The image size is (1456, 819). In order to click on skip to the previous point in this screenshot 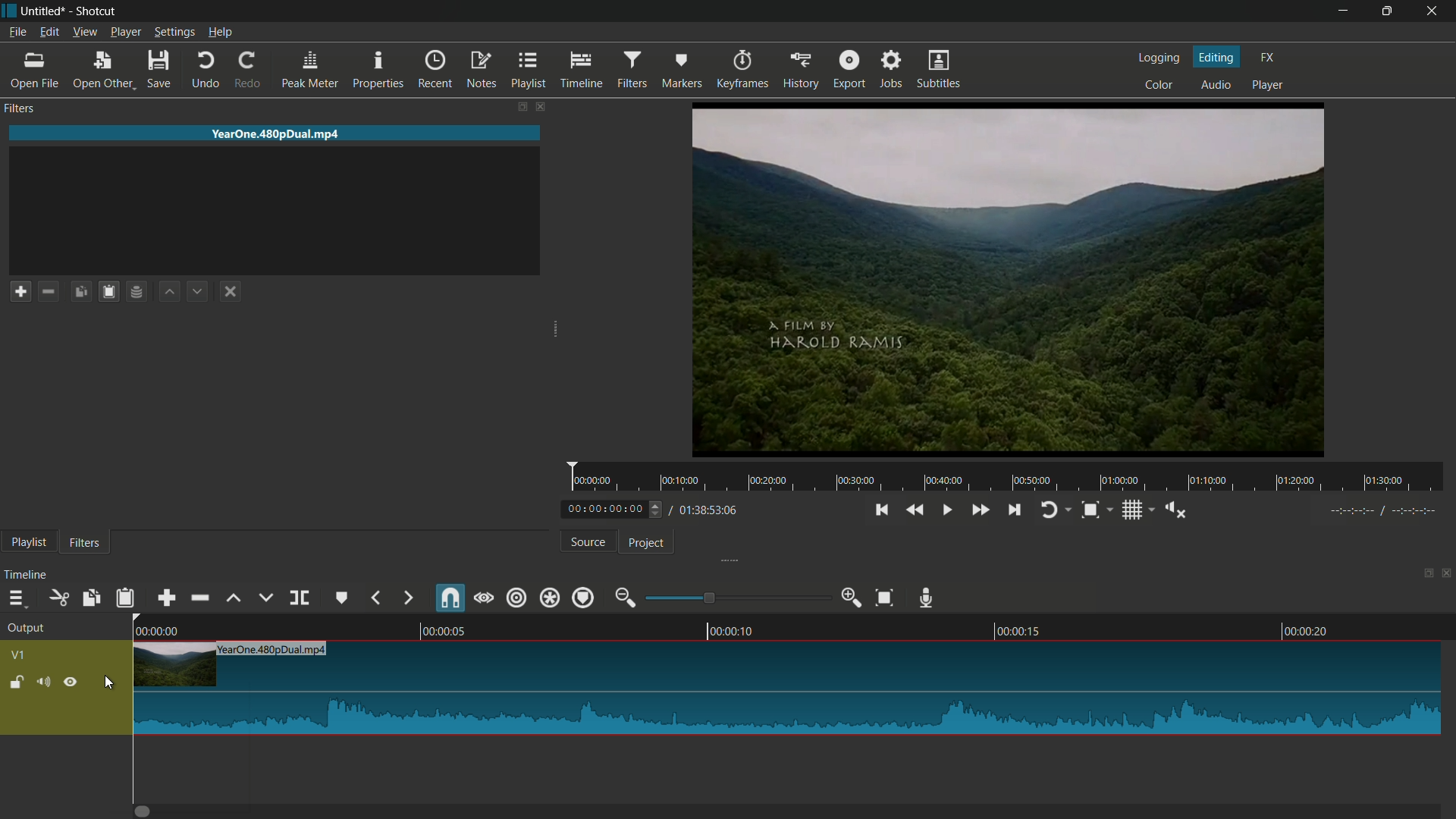, I will do `click(884, 508)`.